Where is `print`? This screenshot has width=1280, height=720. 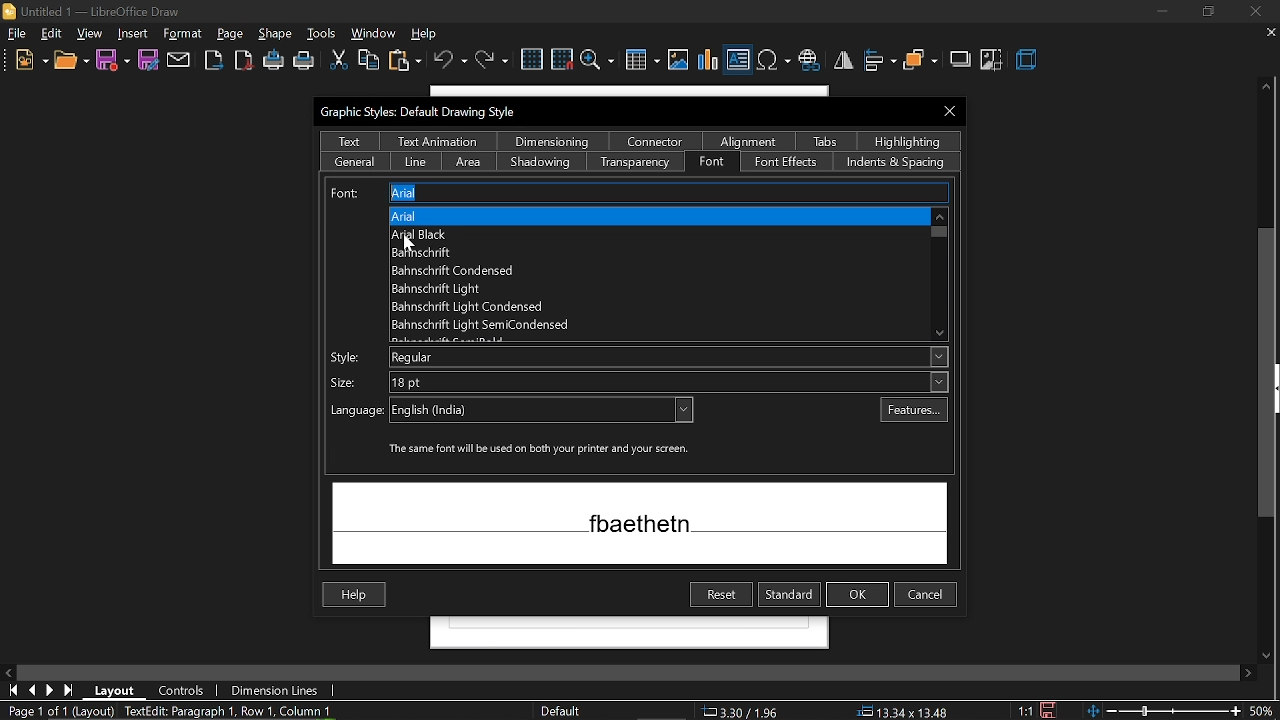
print is located at coordinates (304, 63).